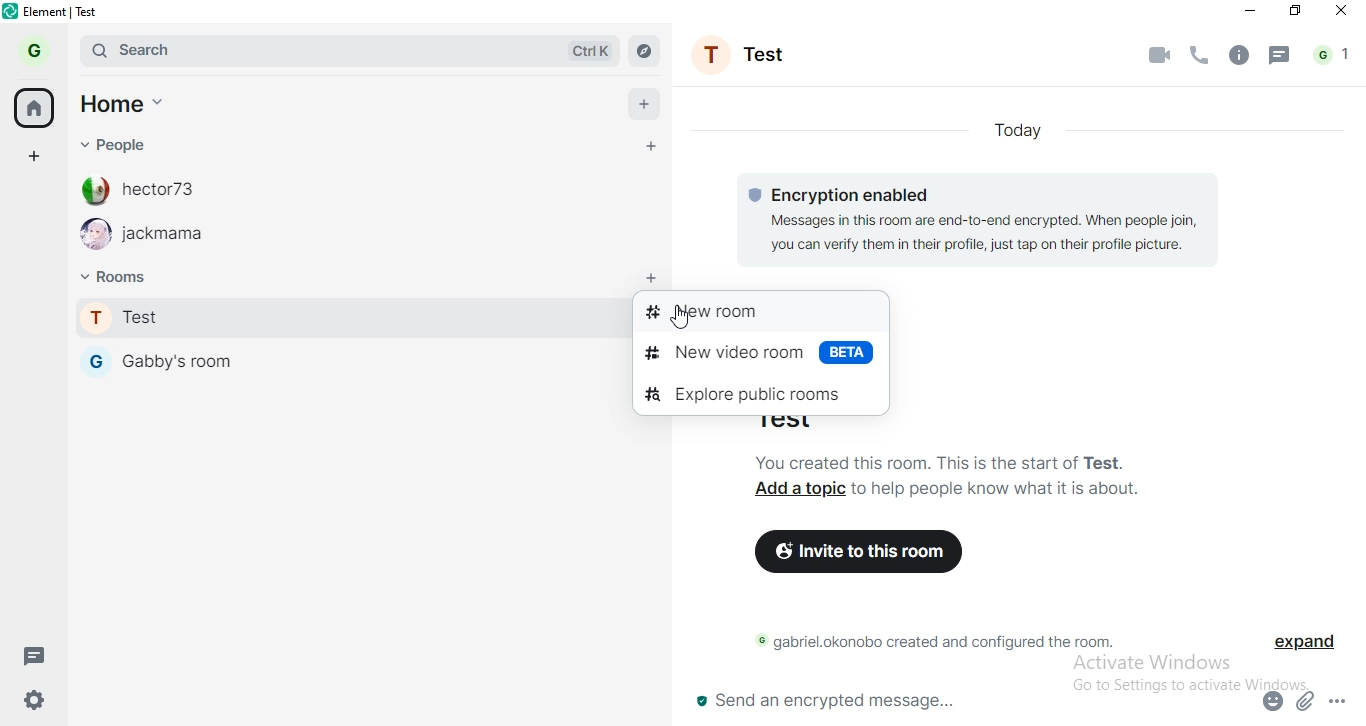 This screenshot has height=726, width=1366. I want to click on © gabriel.okonobo created and configured the room., so click(931, 637).